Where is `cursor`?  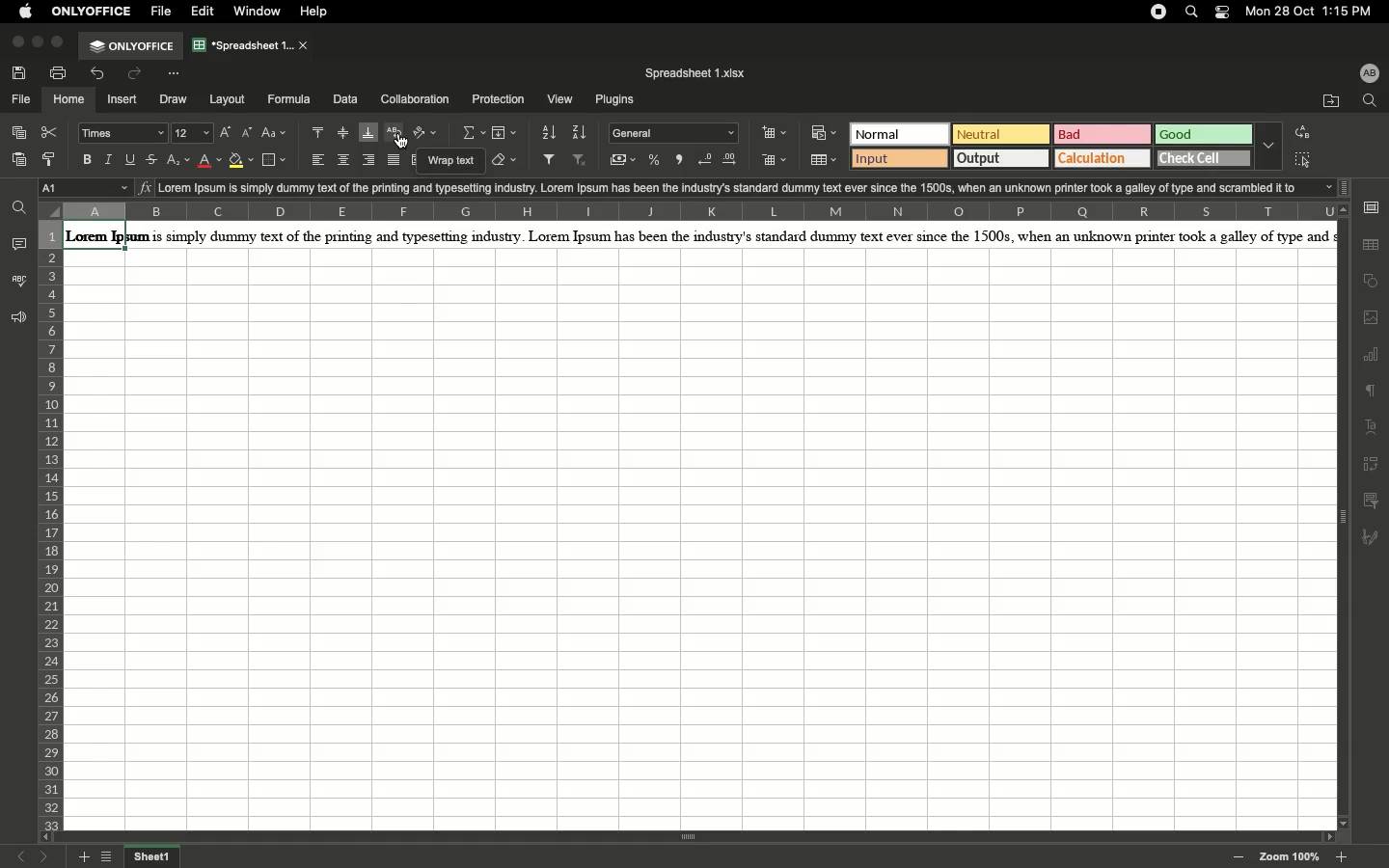 cursor is located at coordinates (400, 144).